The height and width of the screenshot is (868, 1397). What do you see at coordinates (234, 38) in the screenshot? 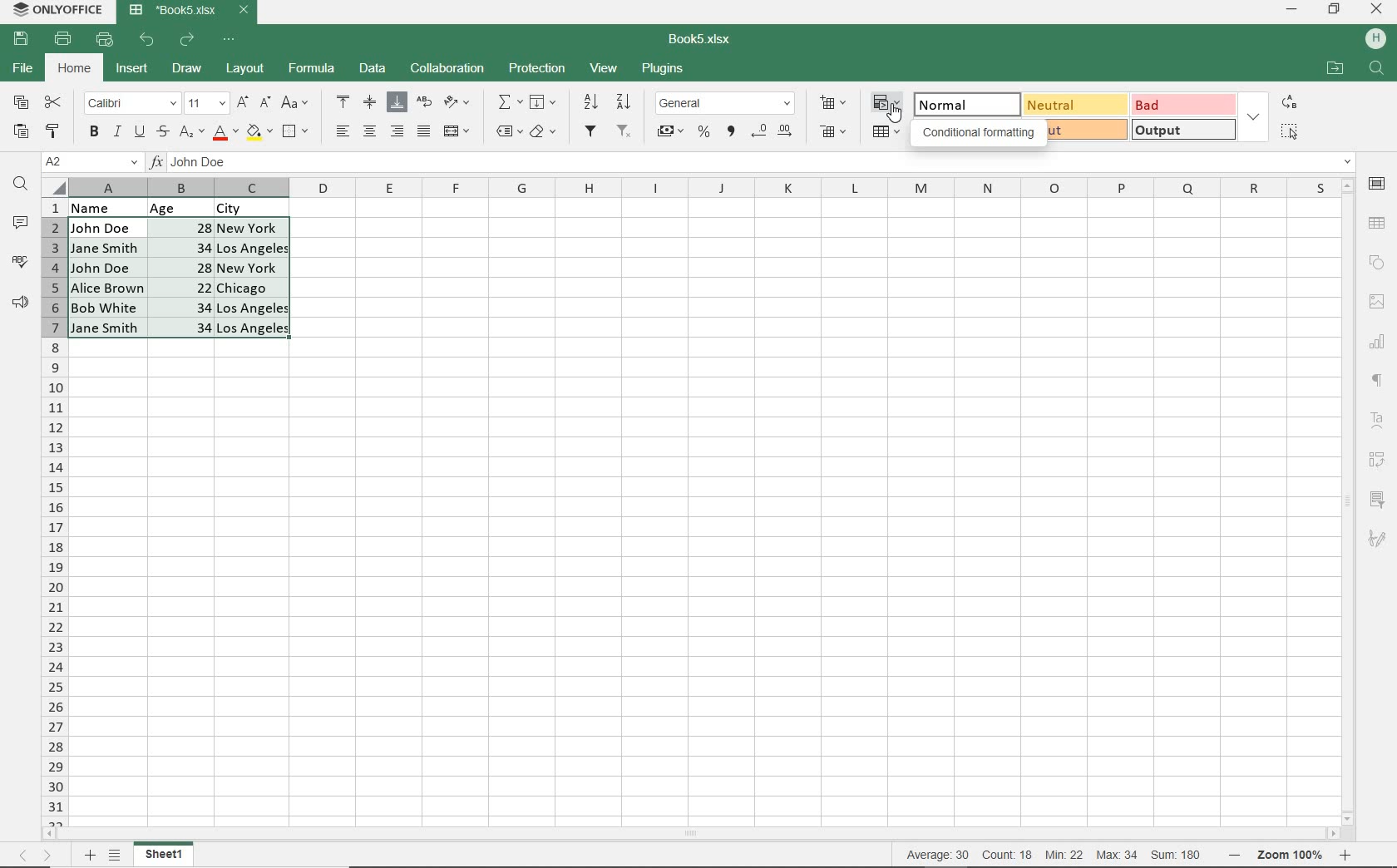
I see `CUSTOMIZE QUICK ACCESS TOOLBAR` at bounding box center [234, 38].